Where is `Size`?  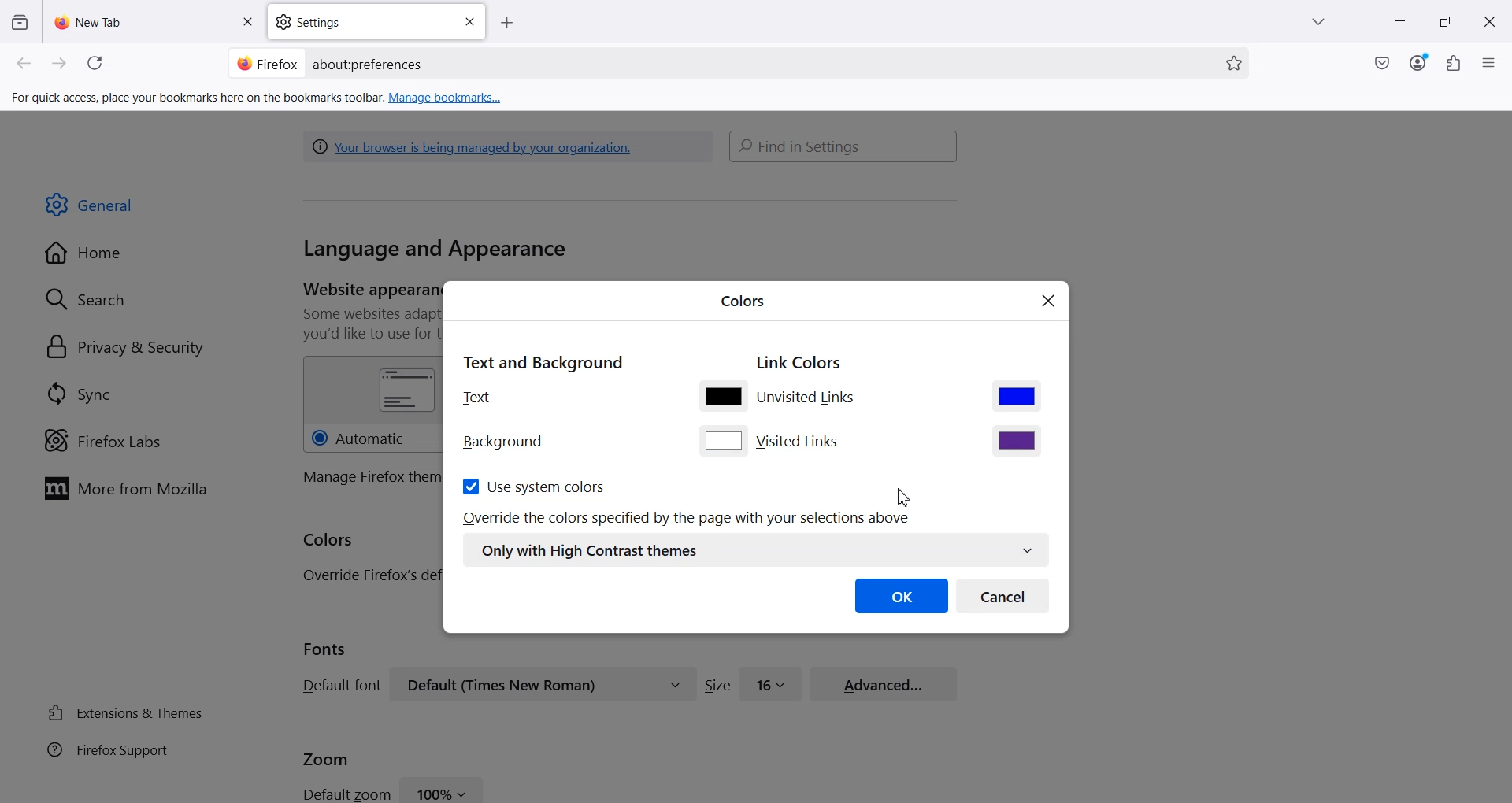 Size is located at coordinates (717, 685).